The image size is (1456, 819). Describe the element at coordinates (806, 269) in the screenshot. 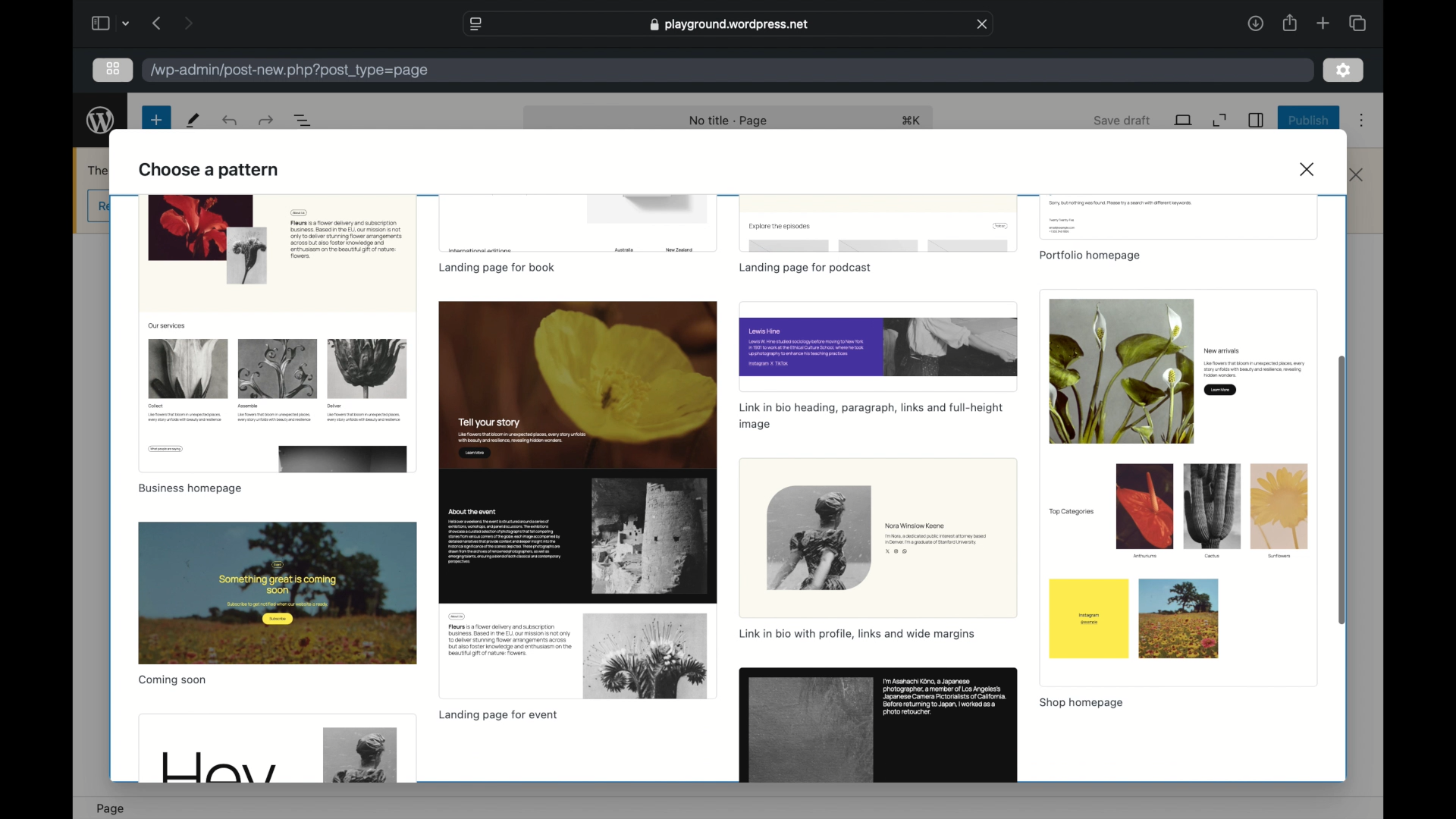

I see `landing page for podcast` at that location.